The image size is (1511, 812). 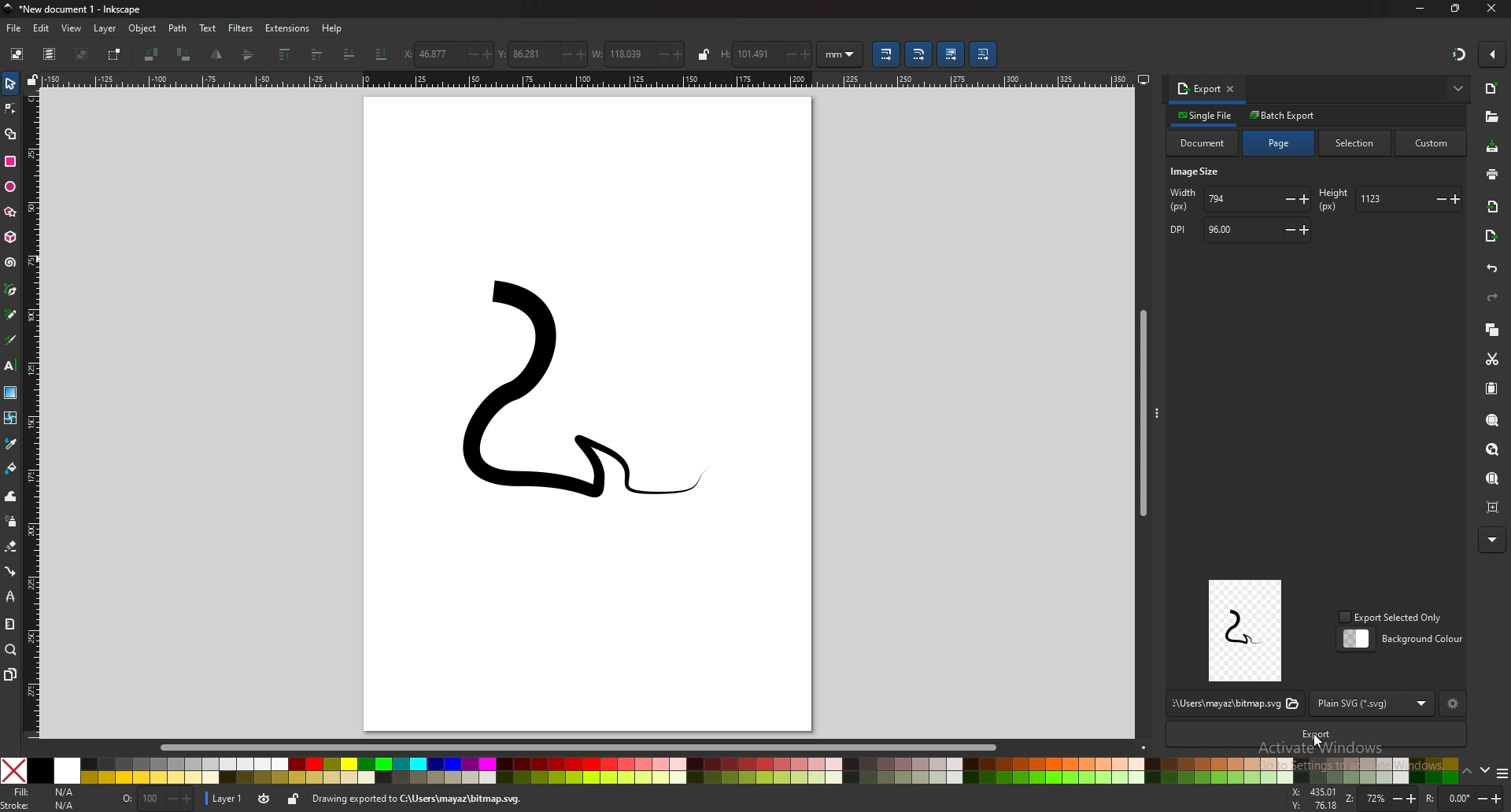 What do you see at coordinates (1491, 118) in the screenshot?
I see `open` at bounding box center [1491, 118].